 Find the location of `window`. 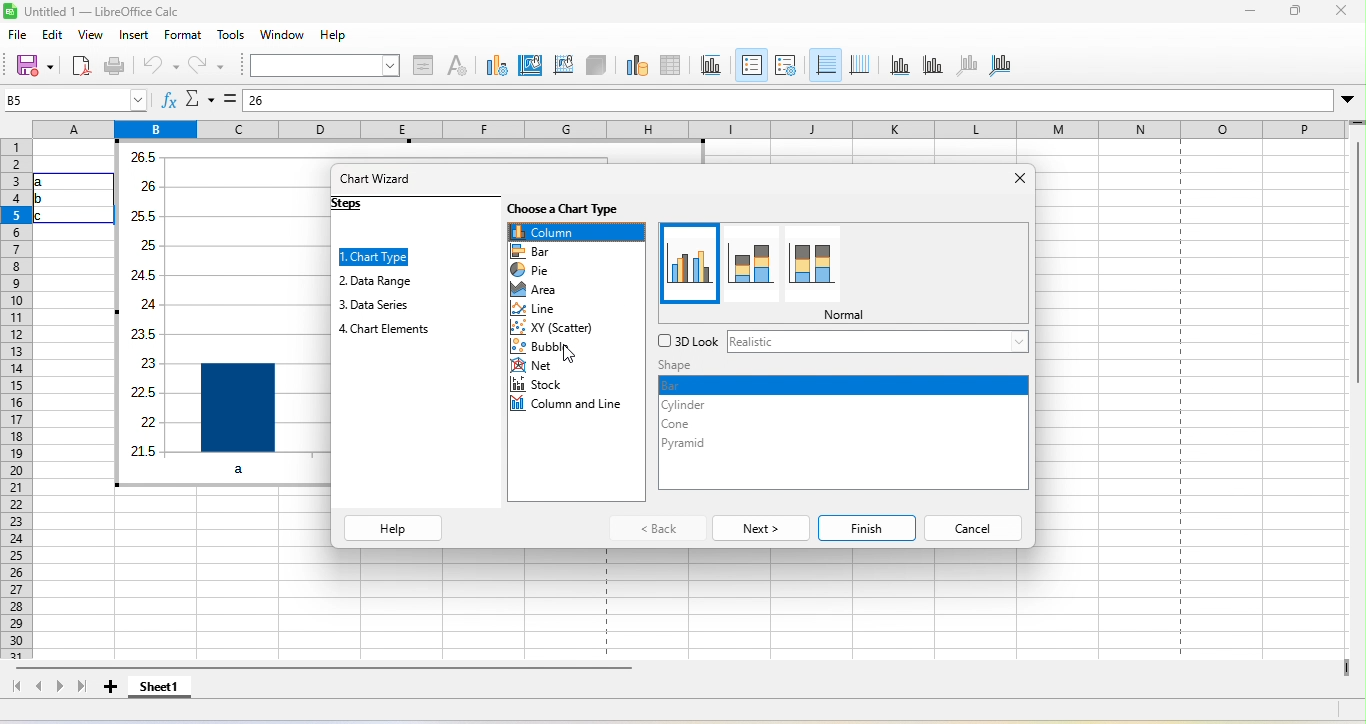

window is located at coordinates (286, 35).